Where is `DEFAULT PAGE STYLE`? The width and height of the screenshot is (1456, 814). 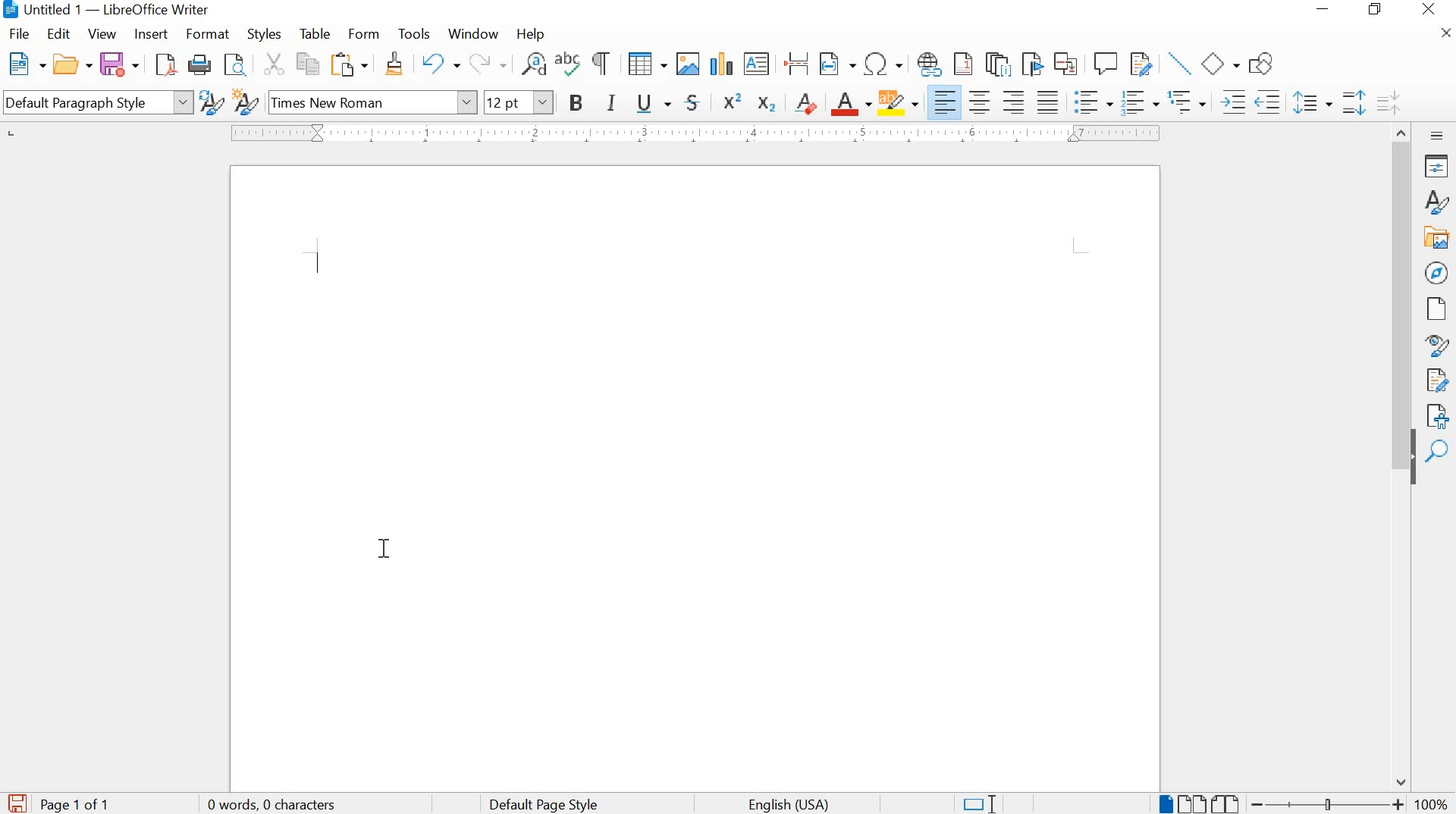
DEFAULT PAGE STYLE is located at coordinates (541, 803).